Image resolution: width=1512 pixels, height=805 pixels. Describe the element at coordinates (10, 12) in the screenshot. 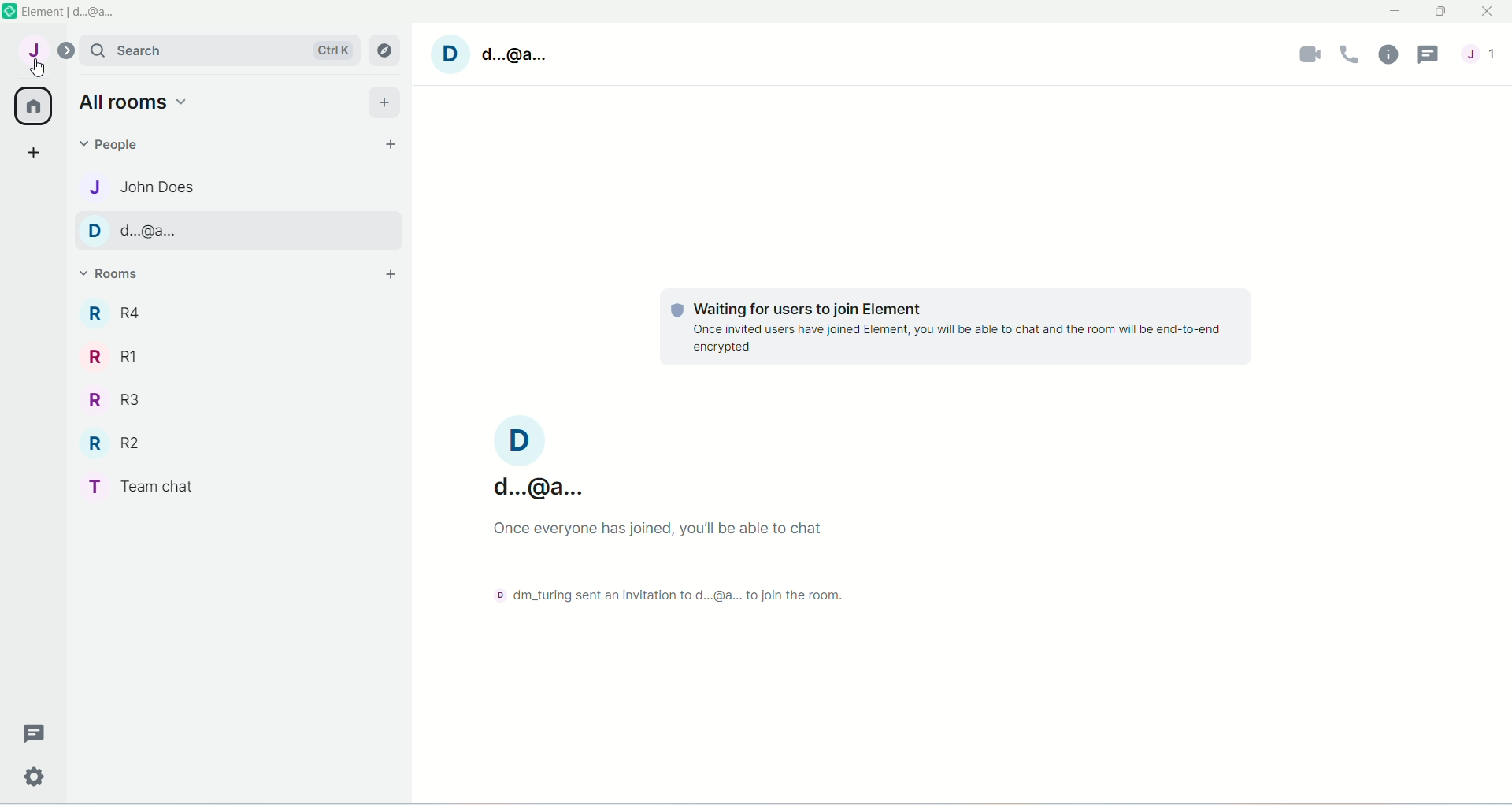

I see `Element app icon` at that location.